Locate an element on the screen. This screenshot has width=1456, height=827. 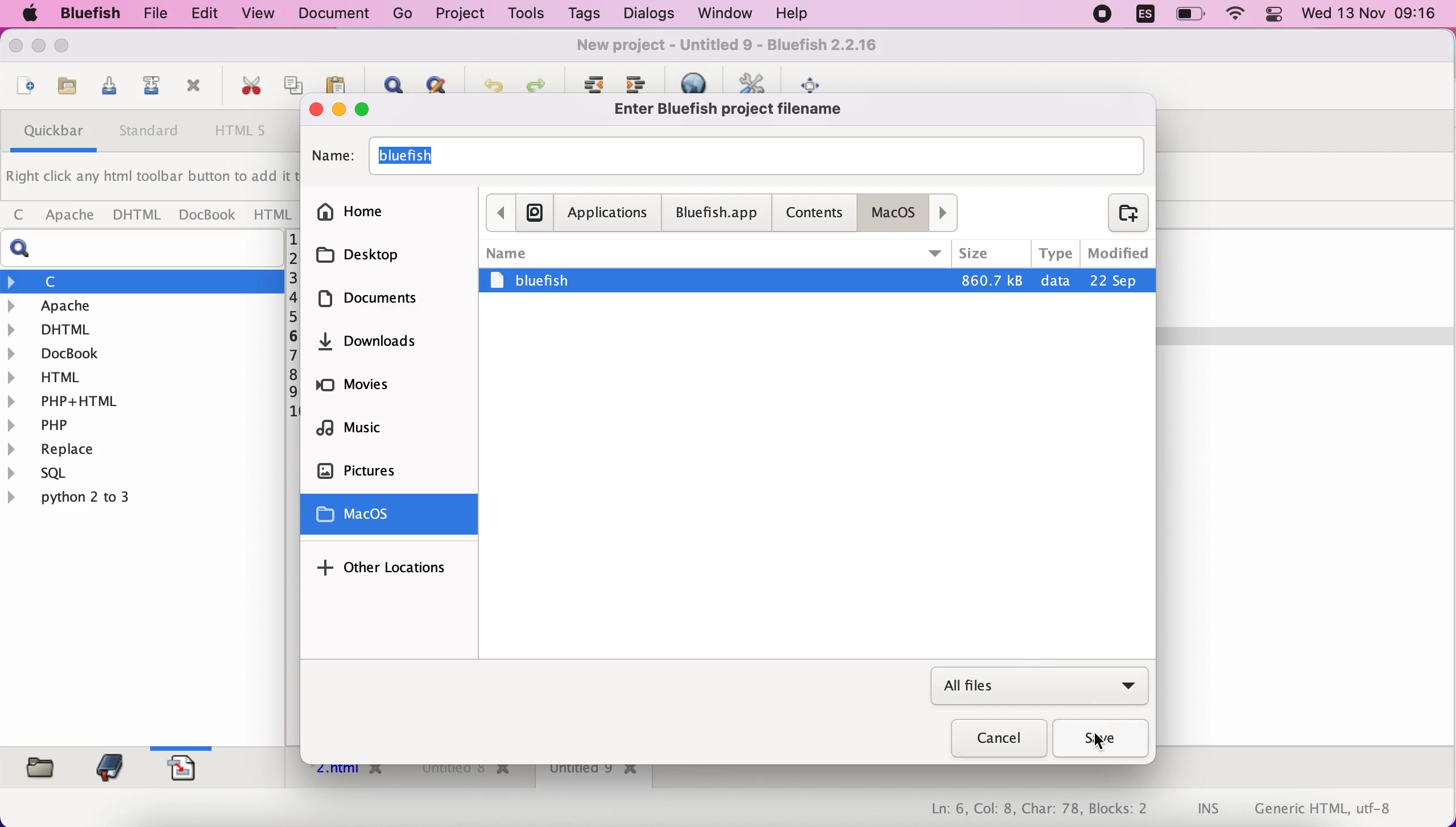
other locations is located at coordinates (386, 567).